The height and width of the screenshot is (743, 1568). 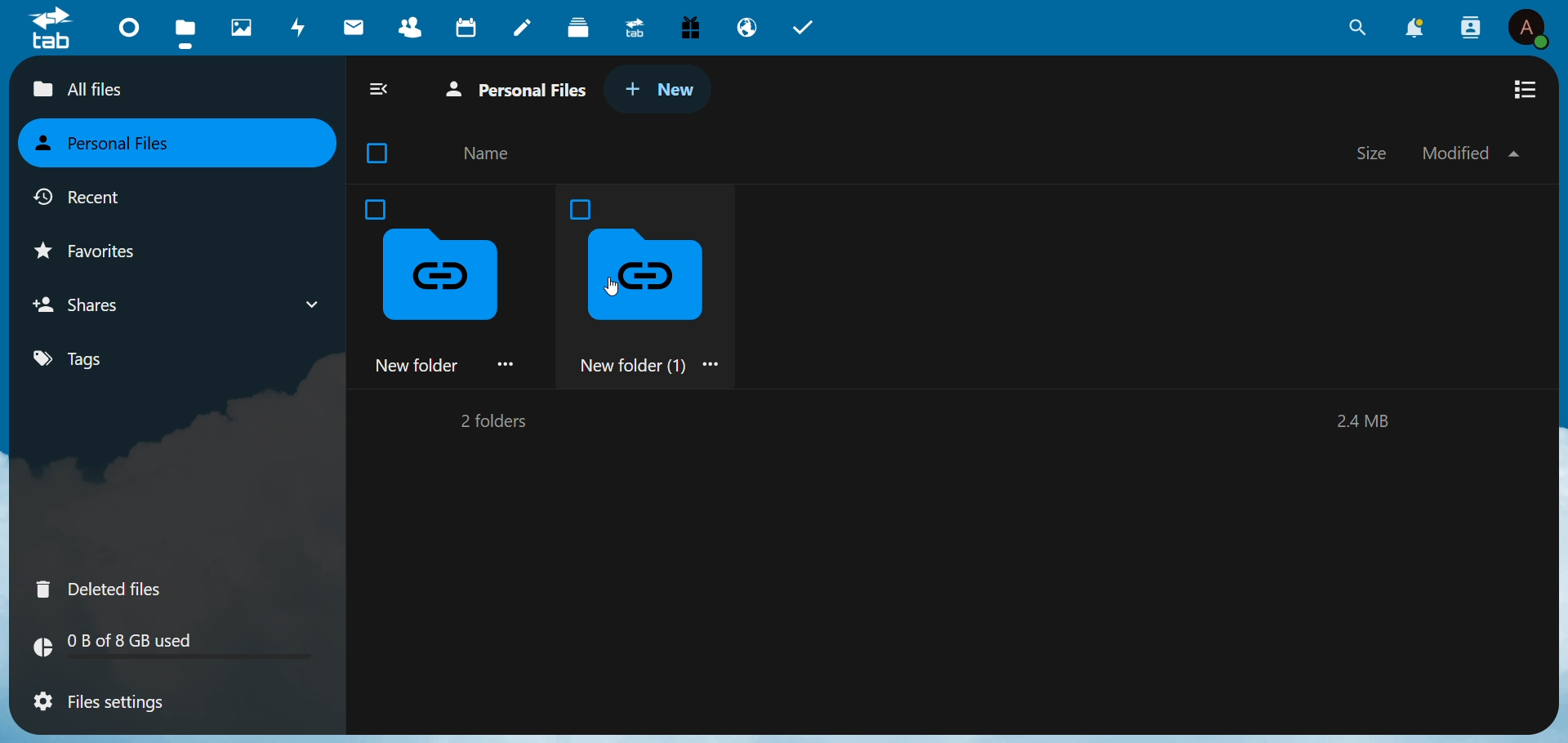 I want to click on shares, so click(x=93, y=305).